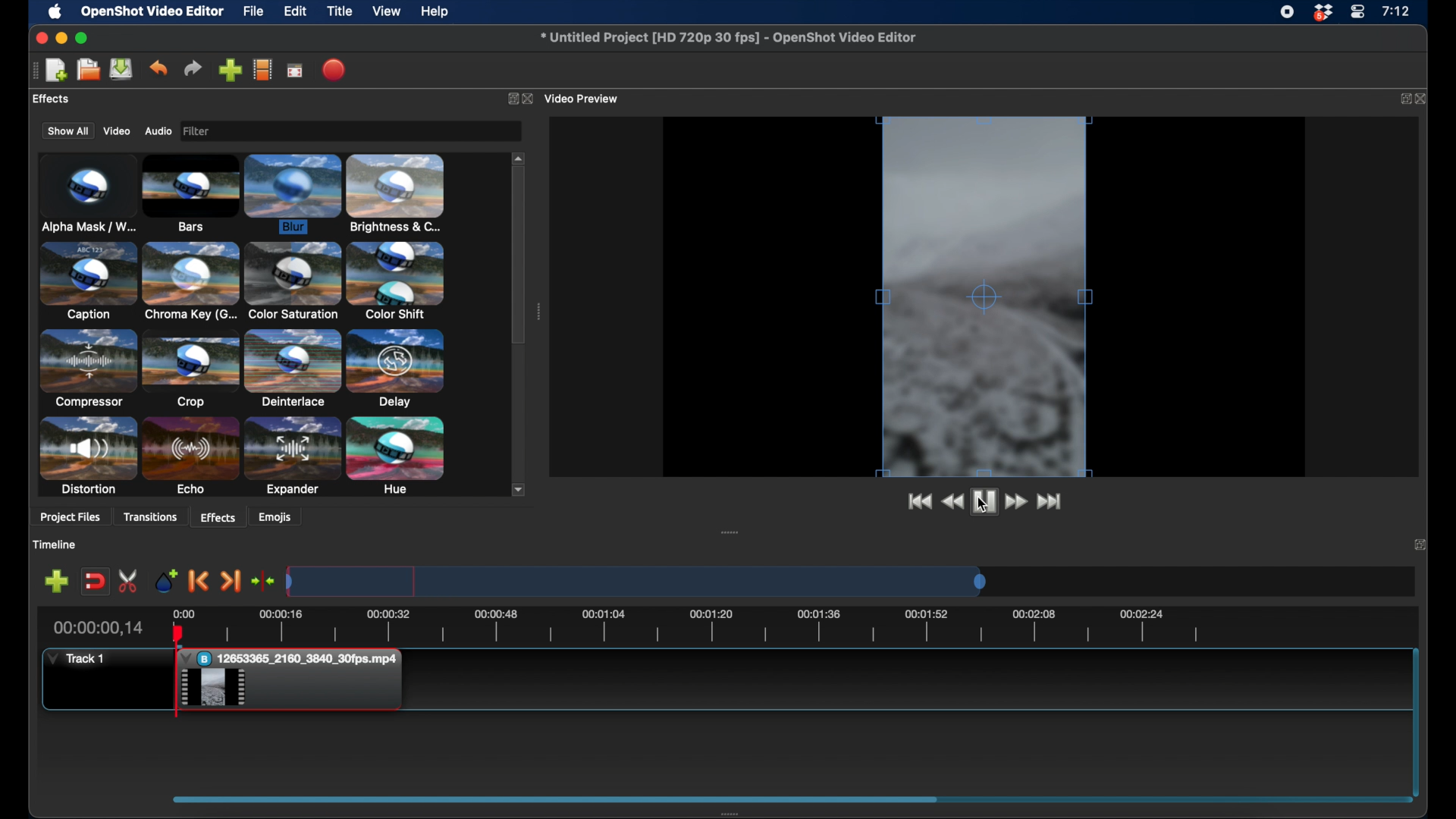 This screenshot has width=1456, height=819. What do you see at coordinates (984, 472) in the screenshot?
I see `resize handle` at bounding box center [984, 472].